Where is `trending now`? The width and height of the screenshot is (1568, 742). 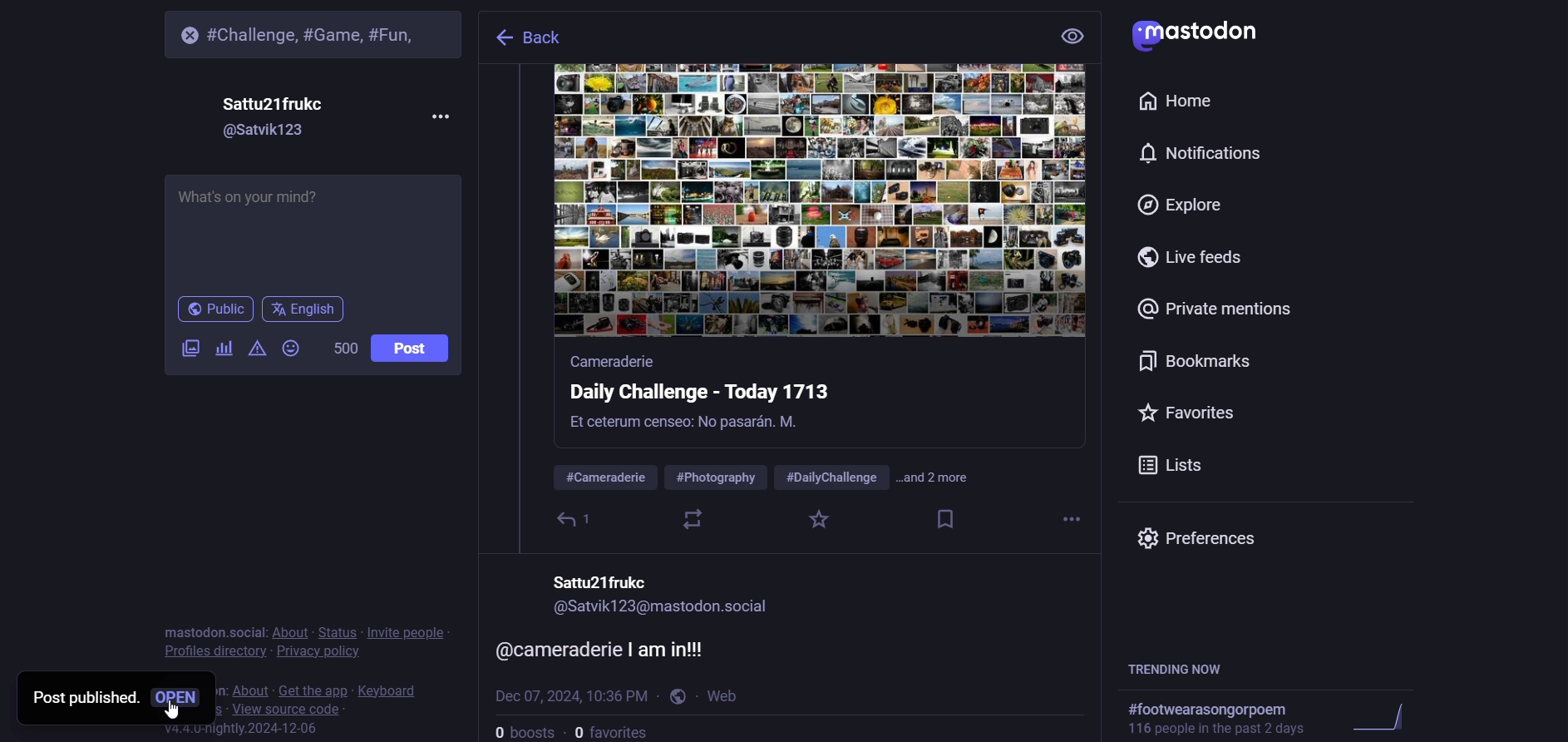
trending now is located at coordinates (1184, 668).